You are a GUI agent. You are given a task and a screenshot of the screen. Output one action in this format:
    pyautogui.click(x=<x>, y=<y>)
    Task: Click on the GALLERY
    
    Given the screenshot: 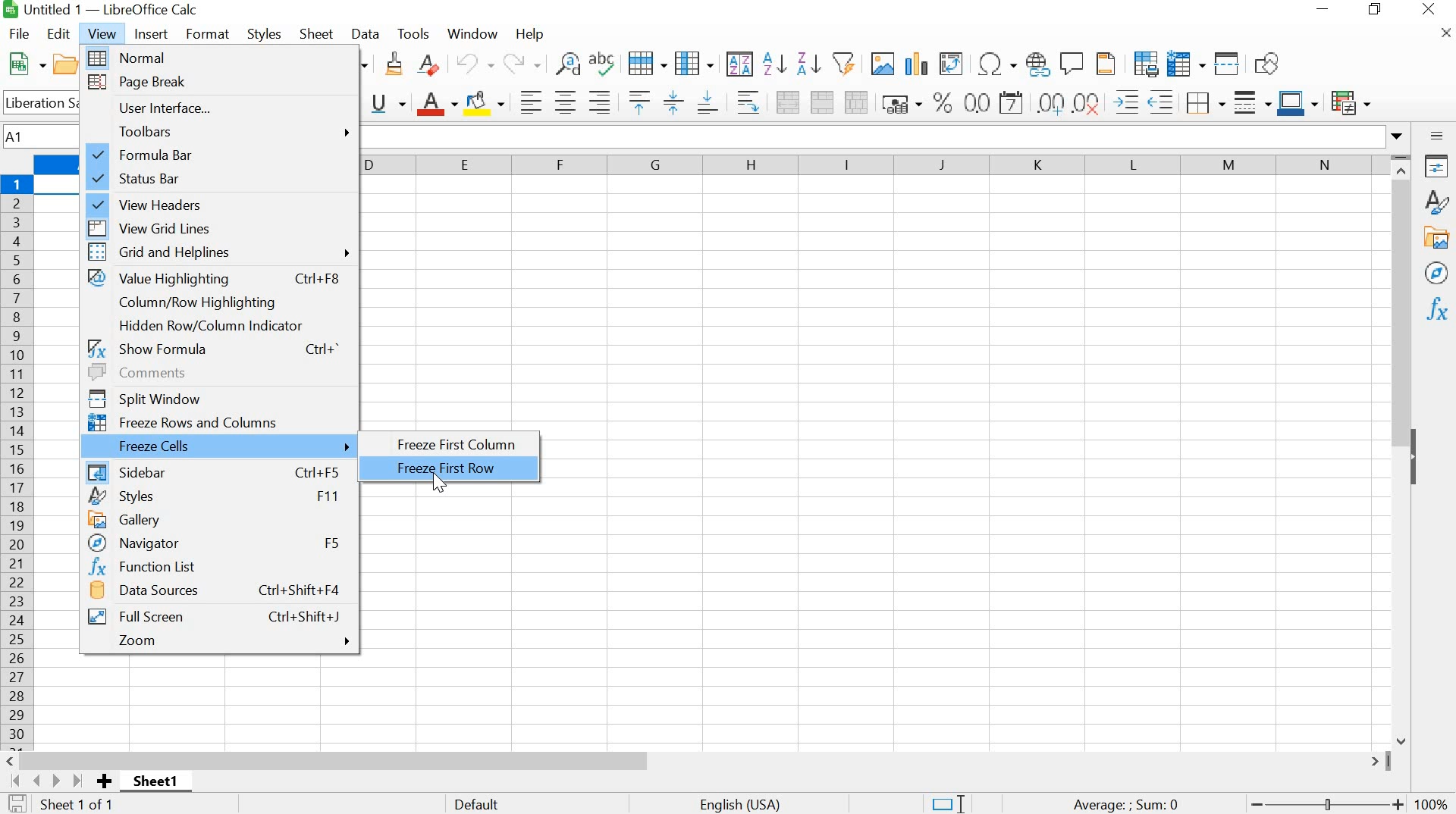 What is the action you would take?
    pyautogui.click(x=218, y=518)
    